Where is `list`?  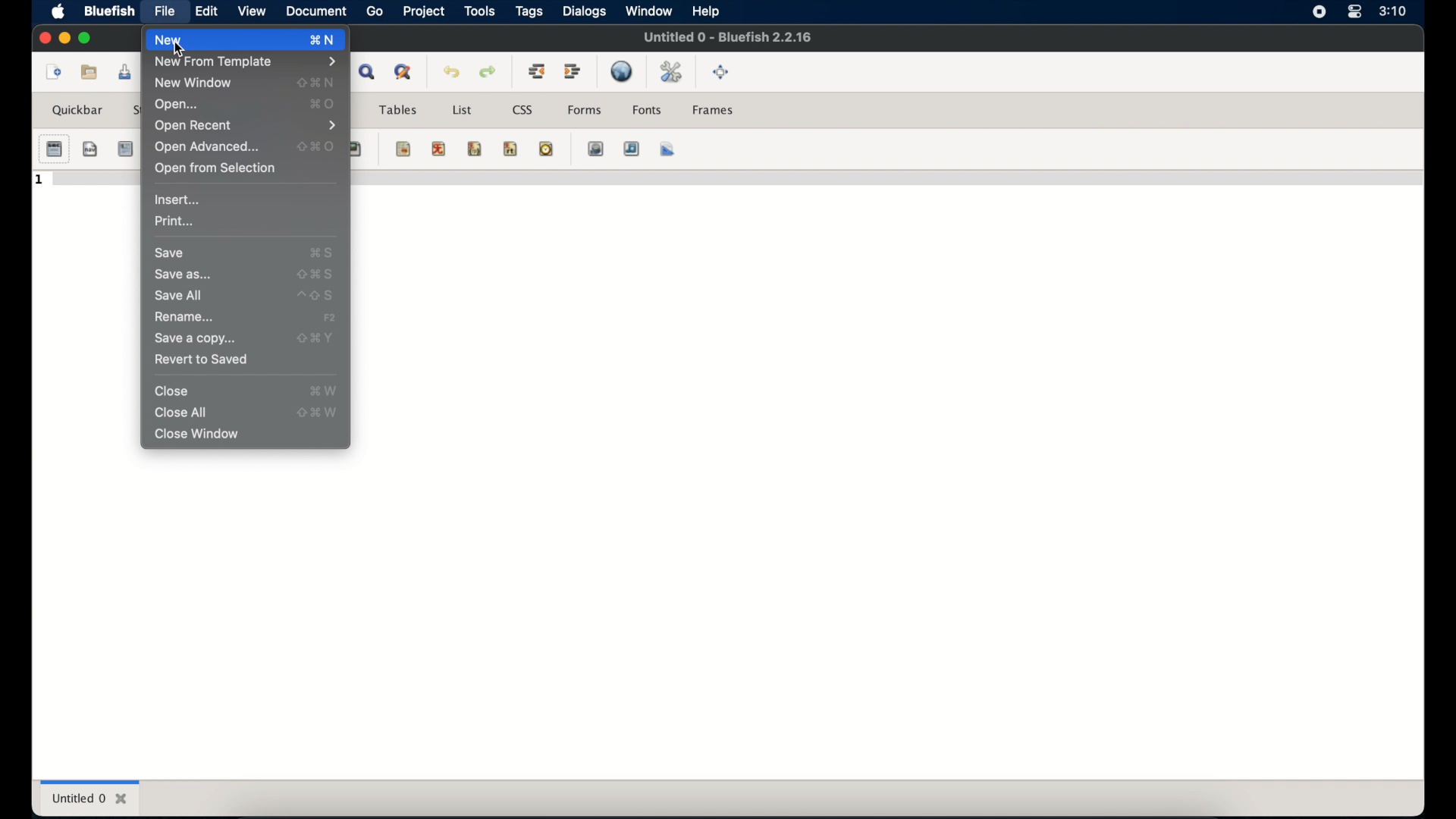 list is located at coordinates (462, 110).